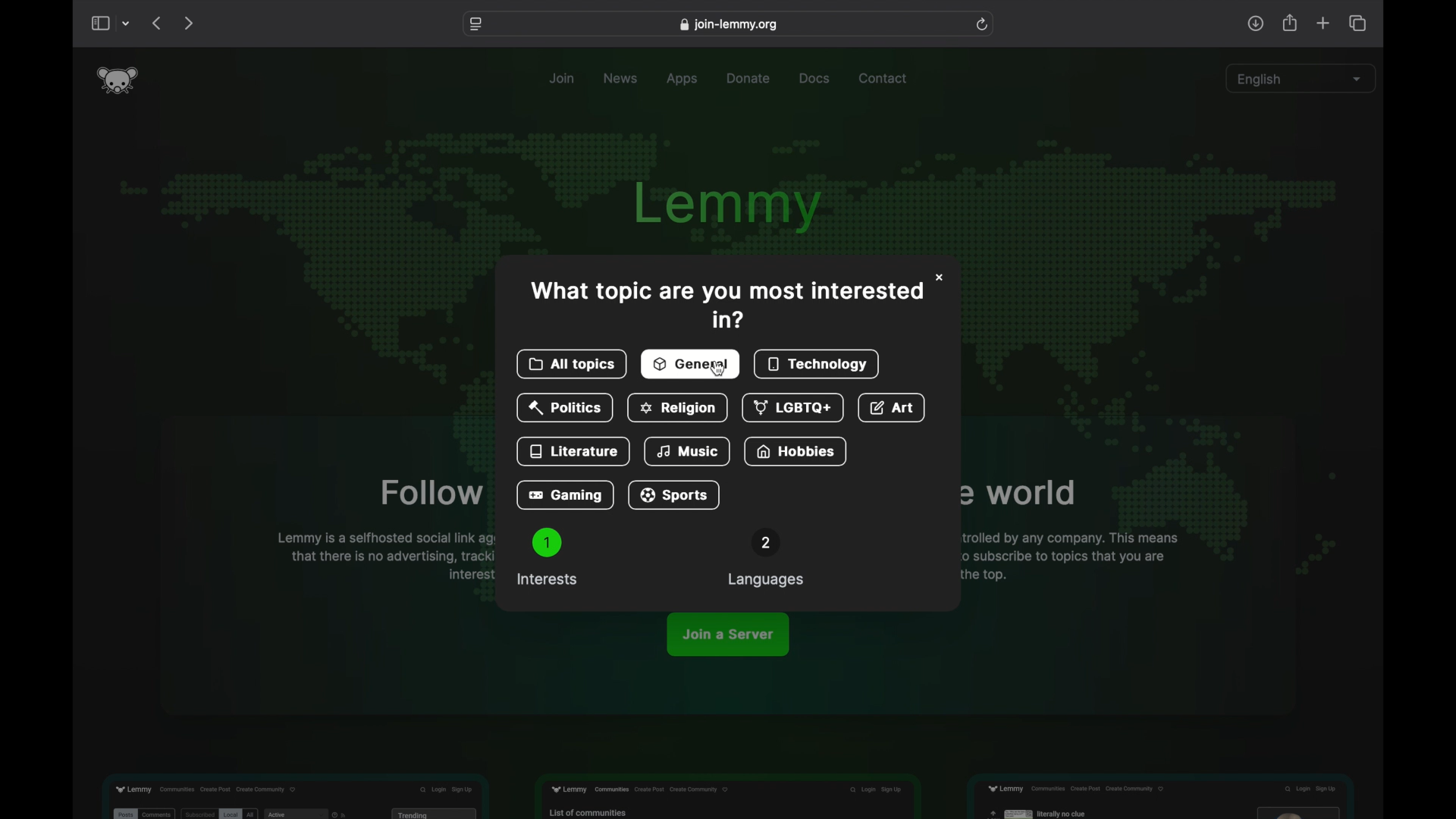 The width and height of the screenshot is (1456, 819). Describe the element at coordinates (796, 451) in the screenshot. I see `hobbies` at that location.